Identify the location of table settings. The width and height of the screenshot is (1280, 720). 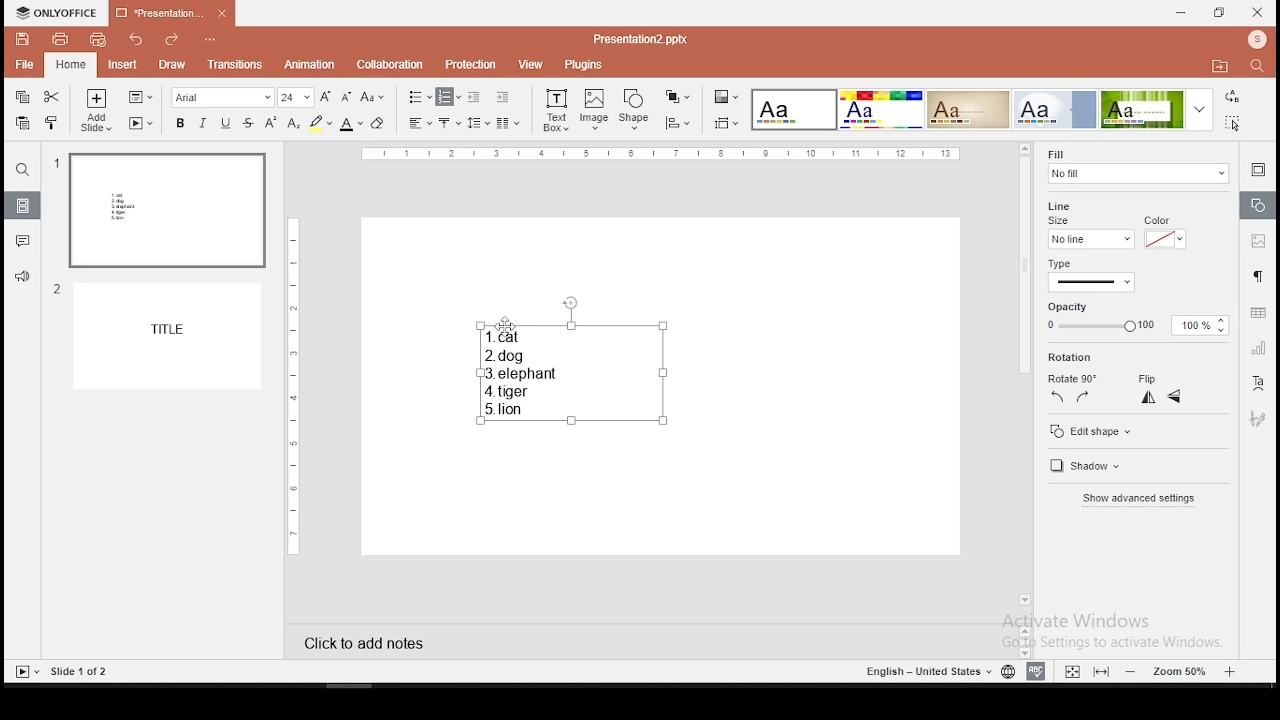
(1256, 313).